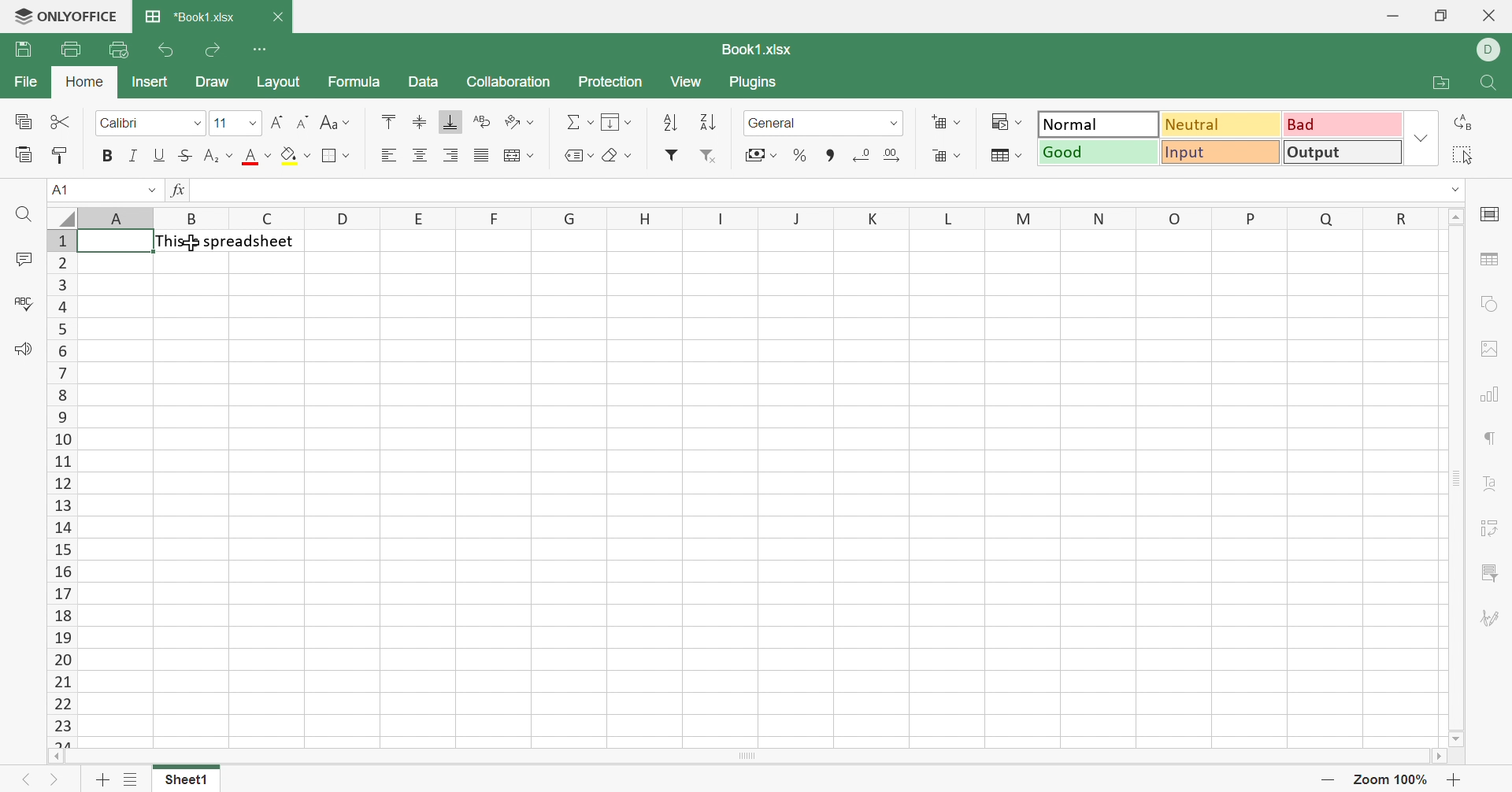 The width and height of the screenshot is (1512, 792). I want to click on Drop Down, so click(192, 124).